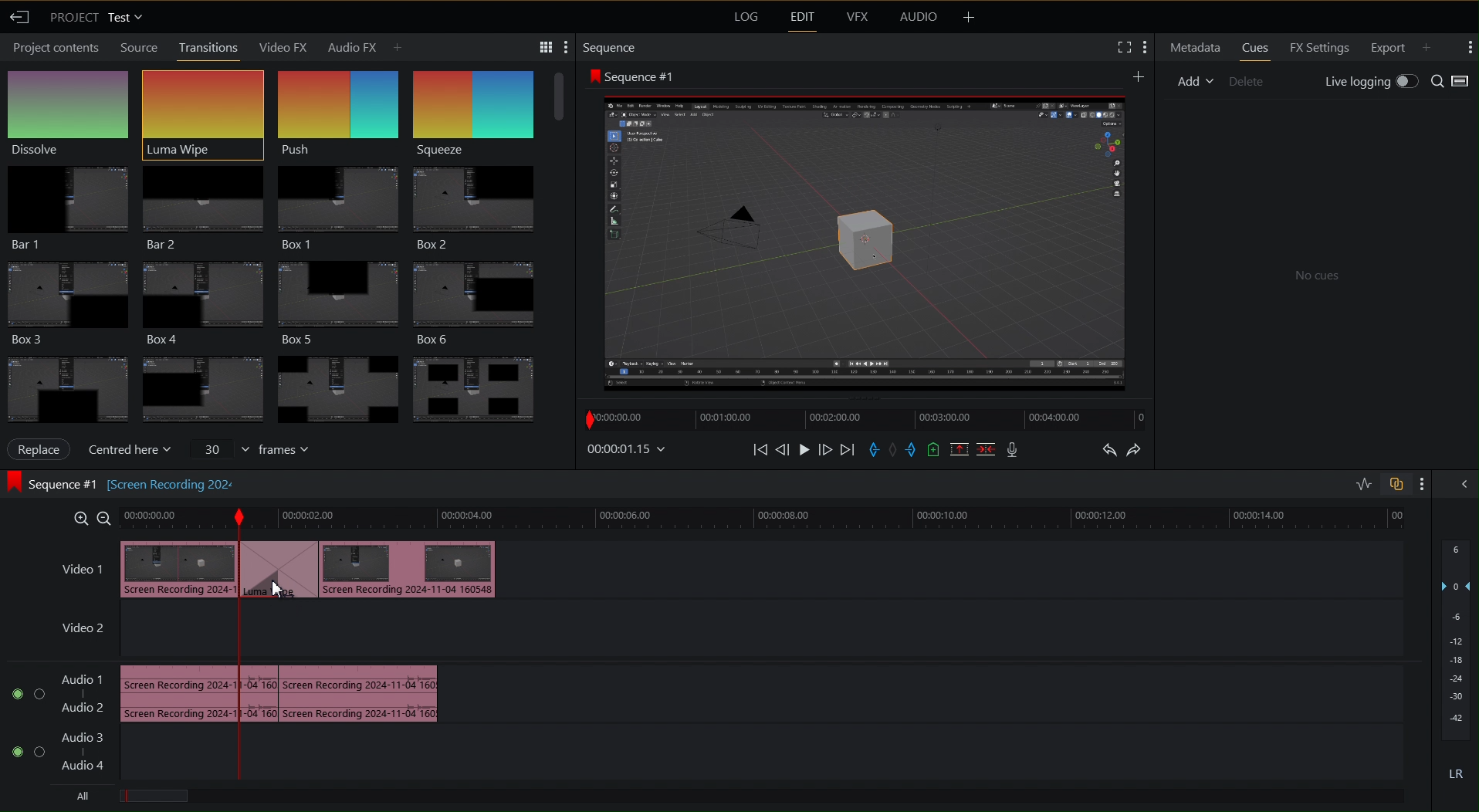  What do you see at coordinates (81, 794) in the screenshot?
I see `All` at bounding box center [81, 794].